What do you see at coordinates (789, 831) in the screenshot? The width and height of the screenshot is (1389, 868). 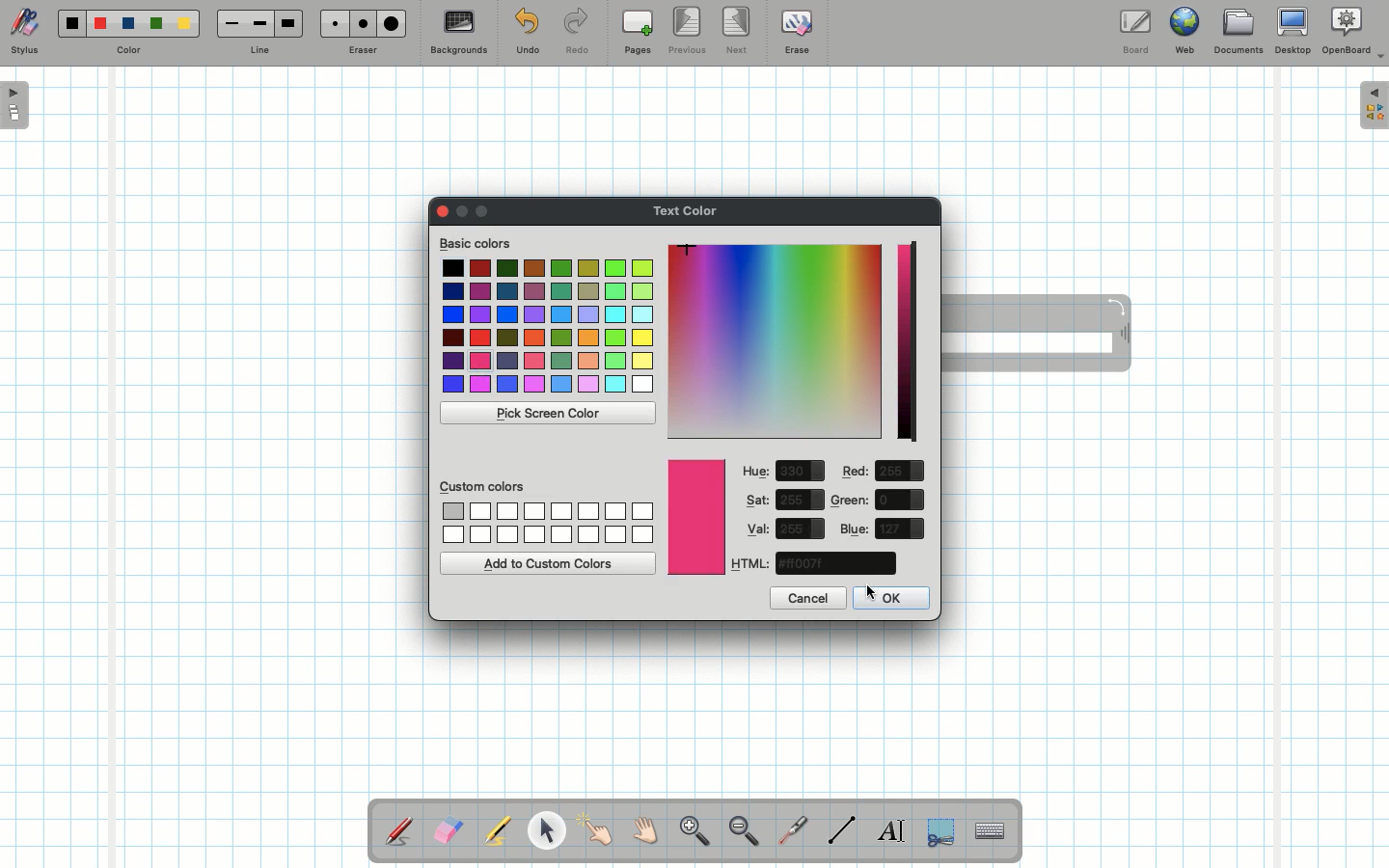 I see `Laser pointer` at bounding box center [789, 831].